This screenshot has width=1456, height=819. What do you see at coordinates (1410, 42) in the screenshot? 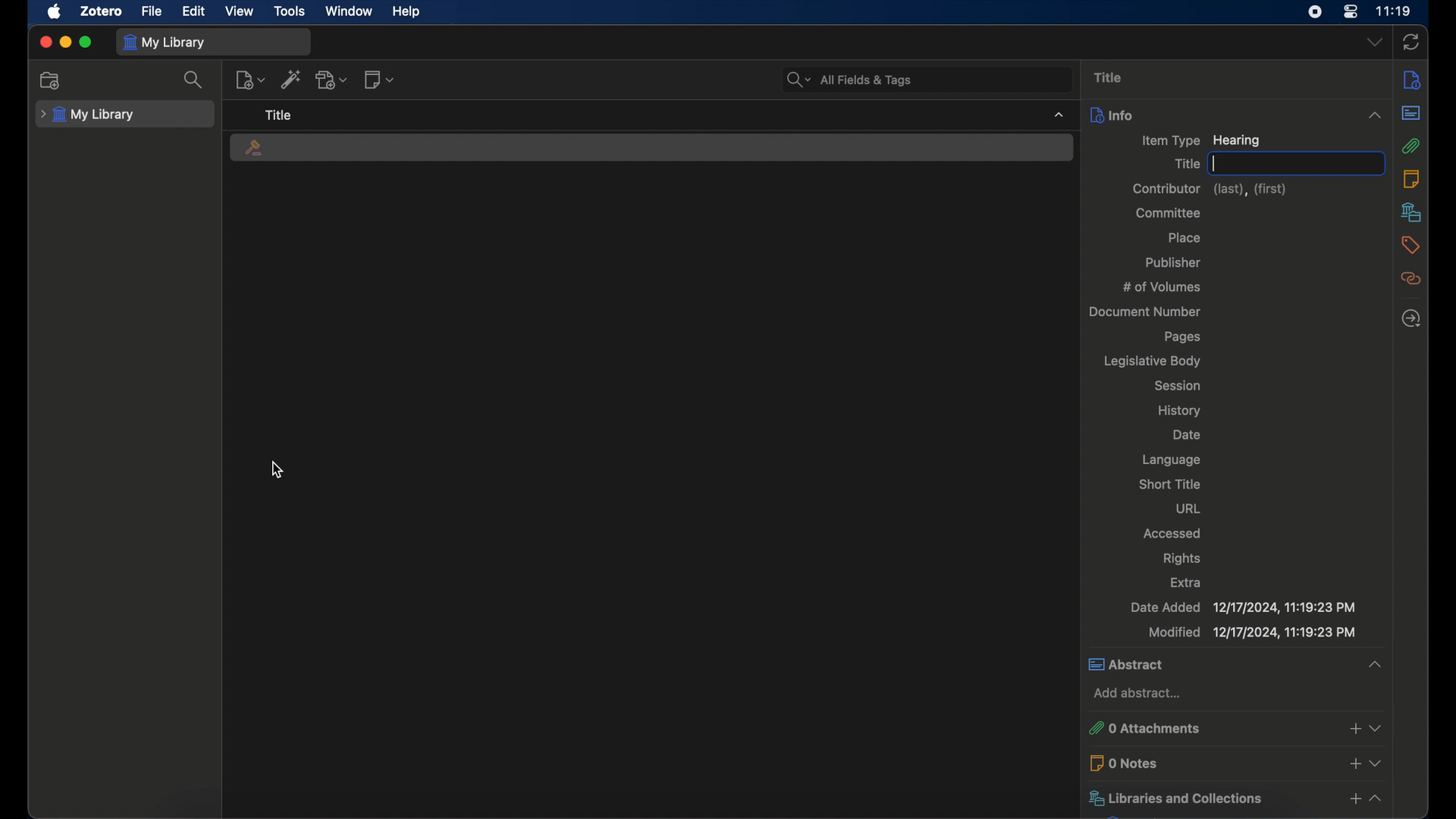
I see `ync` at bounding box center [1410, 42].